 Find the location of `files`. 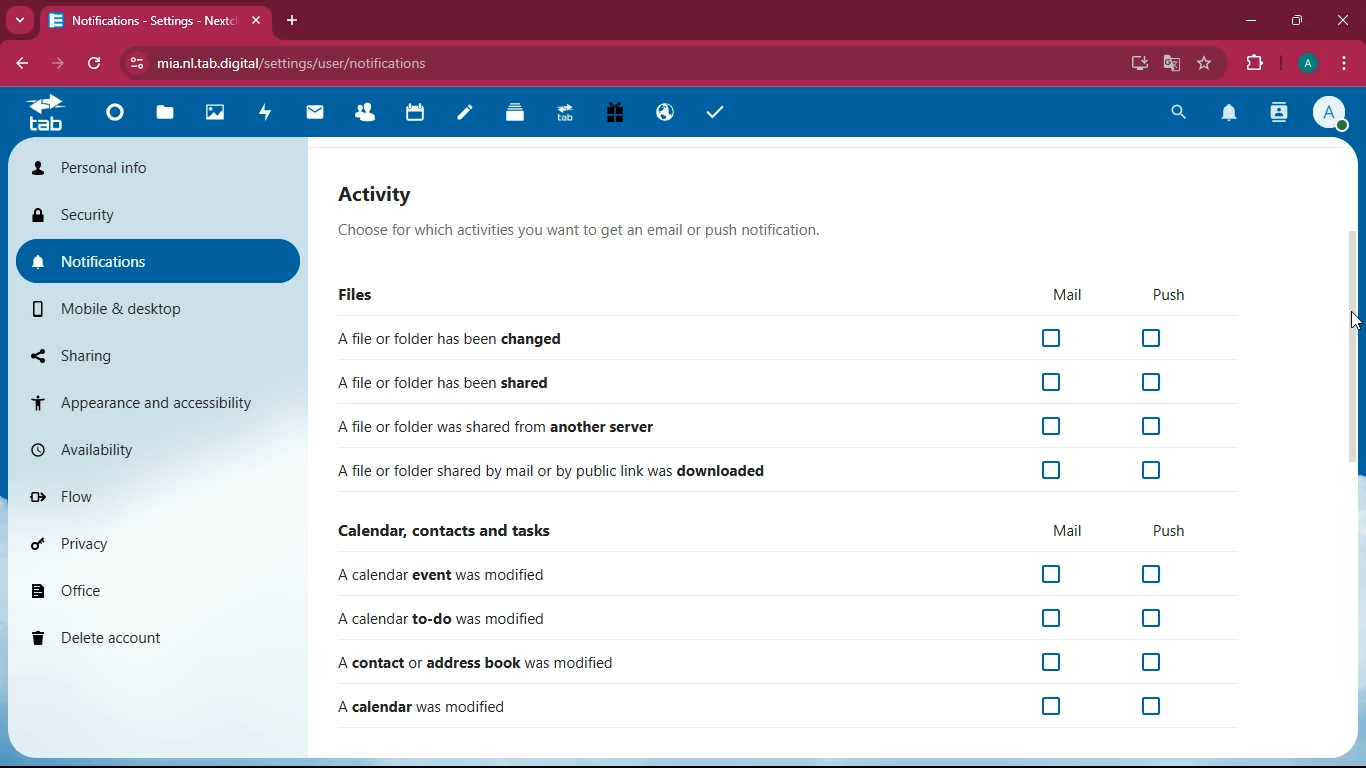

files is located at coordinates (371, 295).